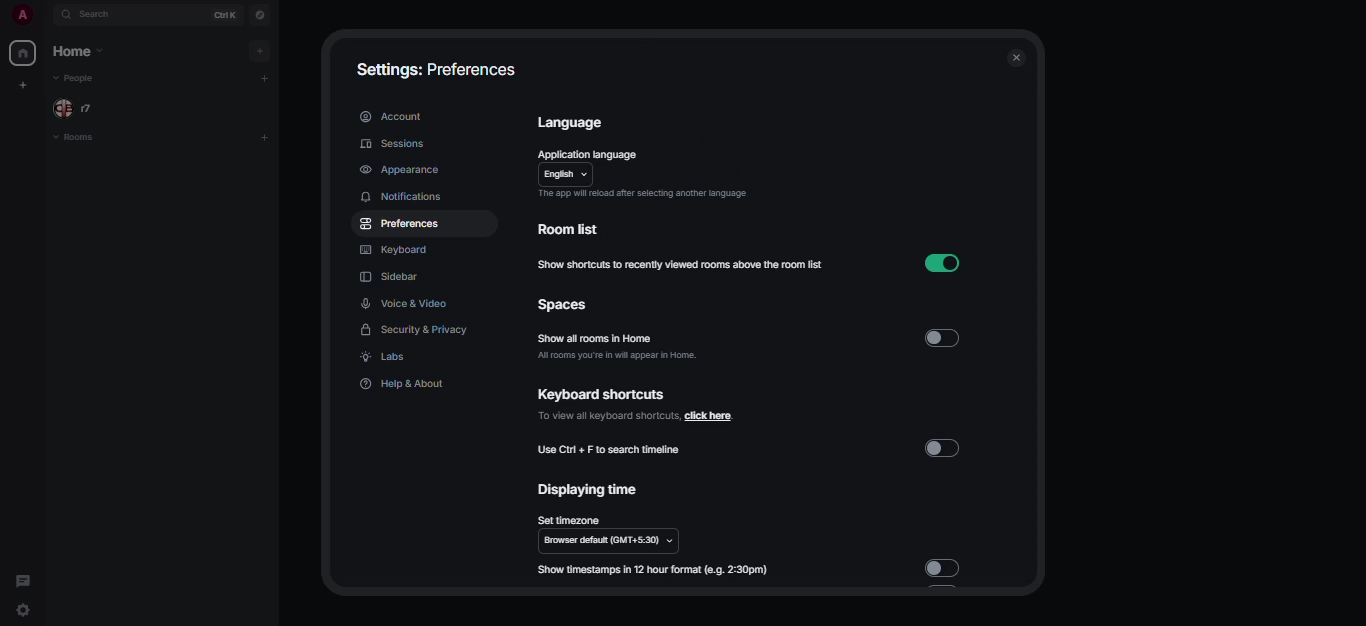  I want to click on people, so click(74, 107).